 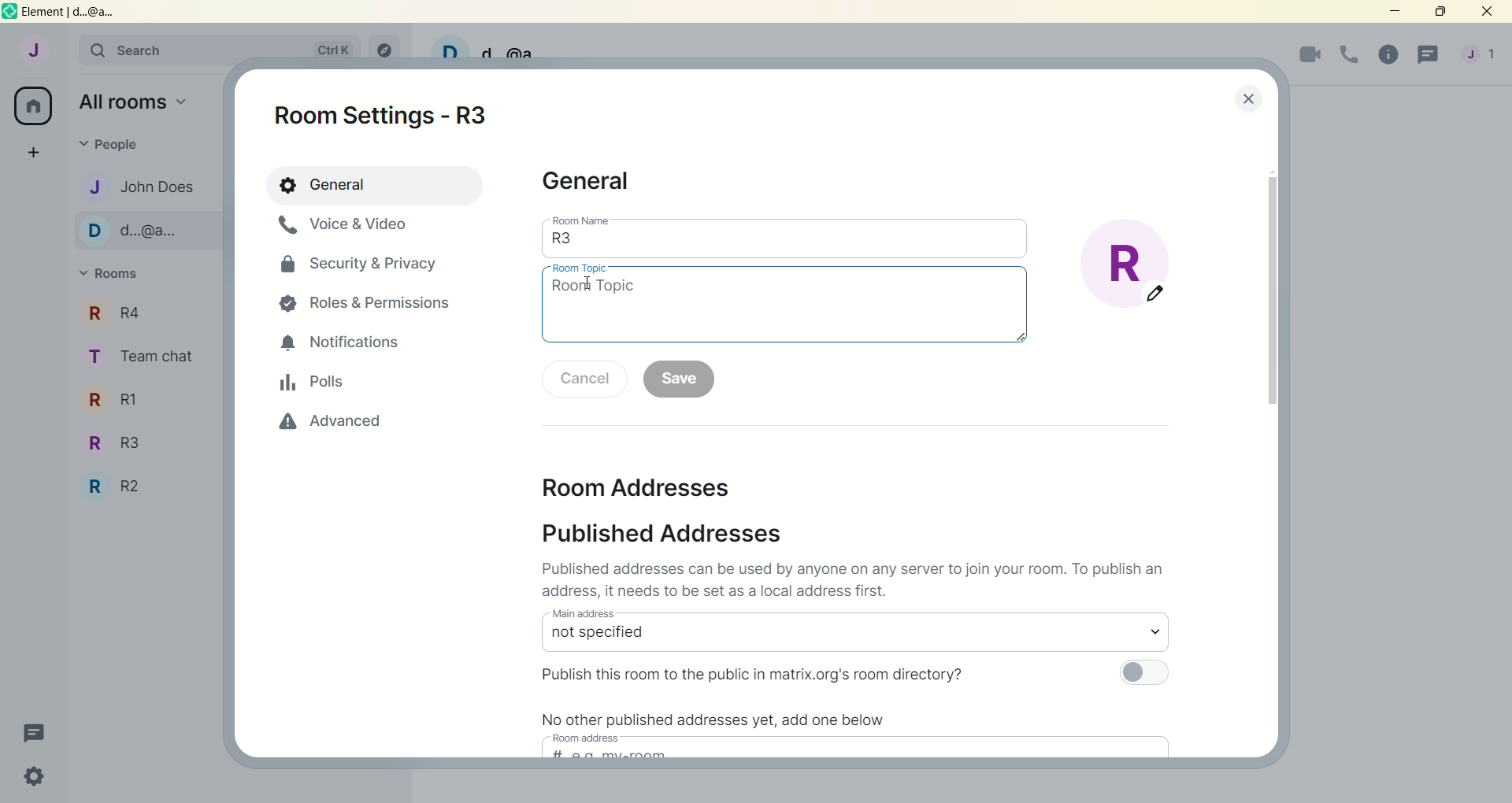 What do you see at coordinates (141, 185) in the screenshot?
I see `john does` at bounding box center [141, 185].